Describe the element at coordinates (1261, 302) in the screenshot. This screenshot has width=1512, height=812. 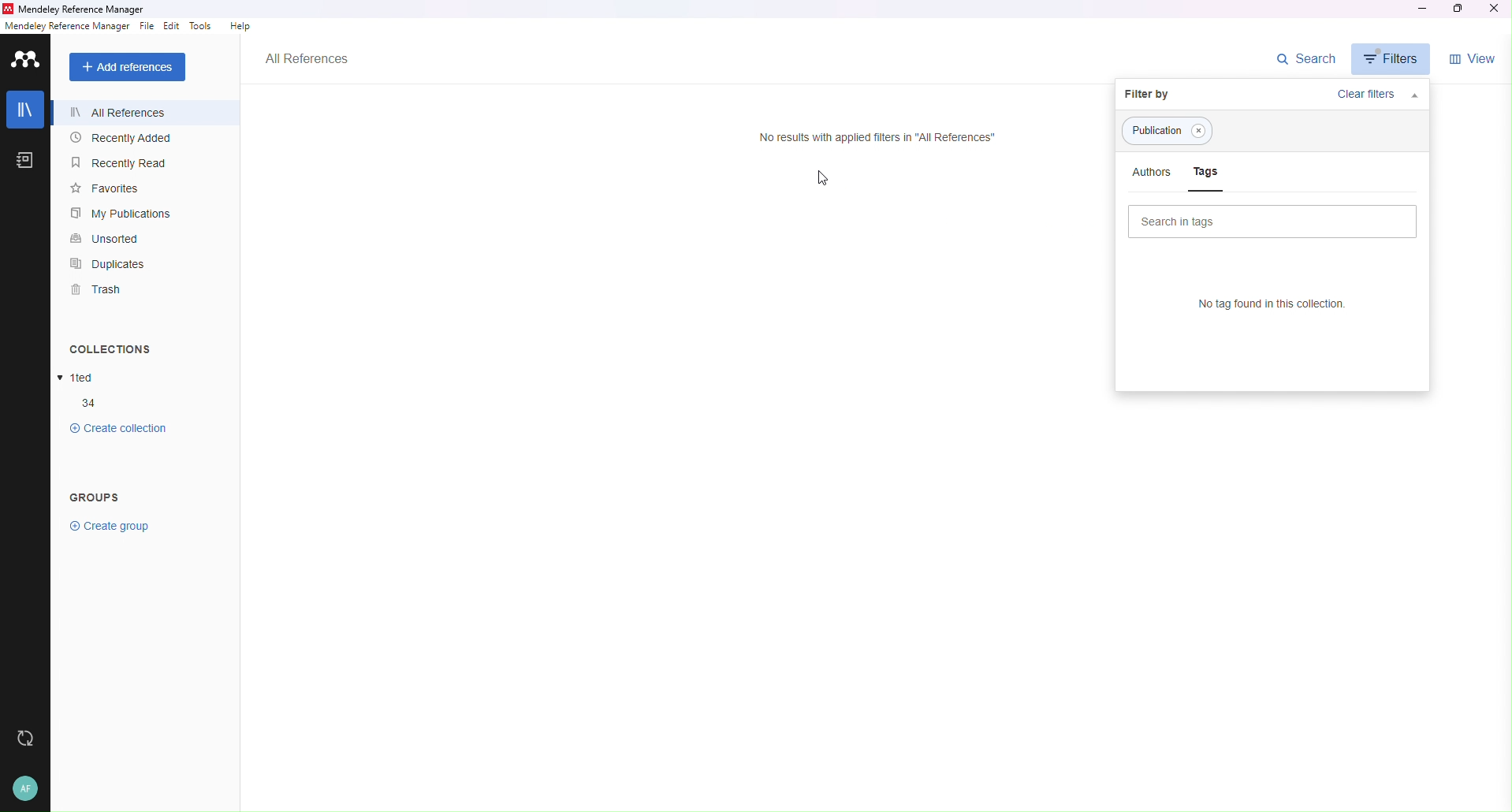
I see `No tag found in this collection.` at that location.